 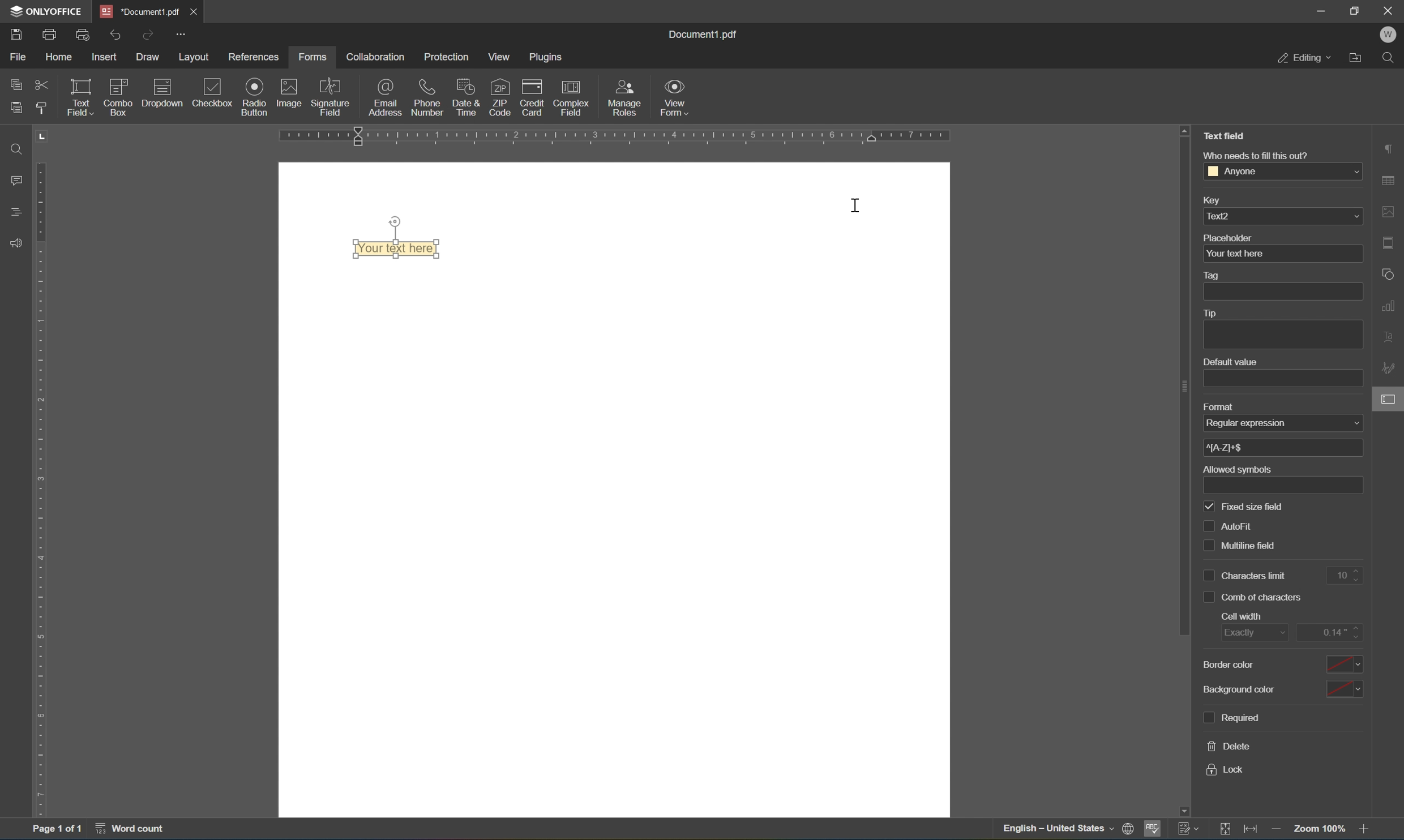 What do you see at coordinates (1233, 362) in the screenshot?
I see `default value` at bounding box center [1233, 362].